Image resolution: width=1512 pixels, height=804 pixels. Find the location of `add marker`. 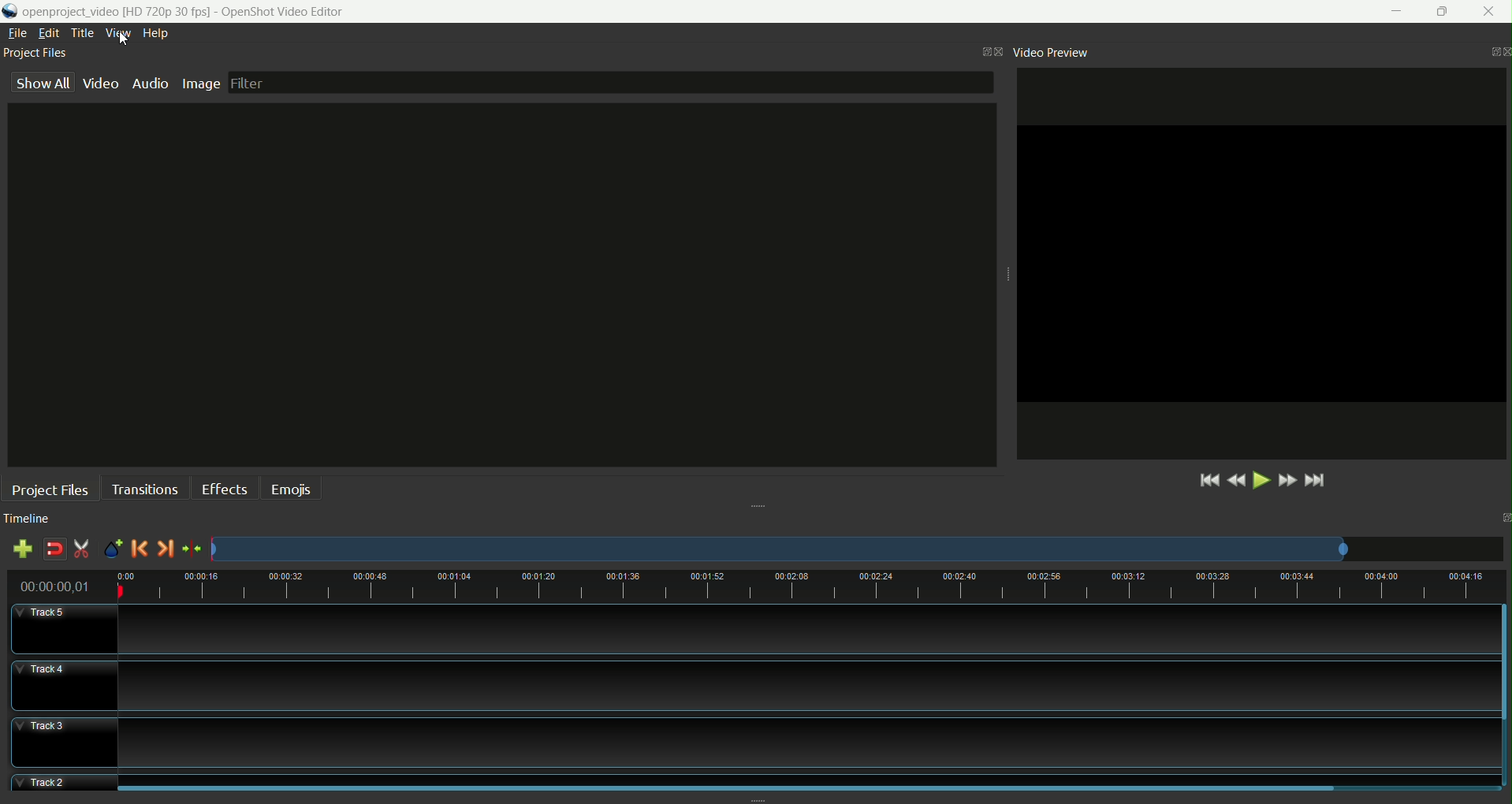

add marker is located at coordinates (113, 549).